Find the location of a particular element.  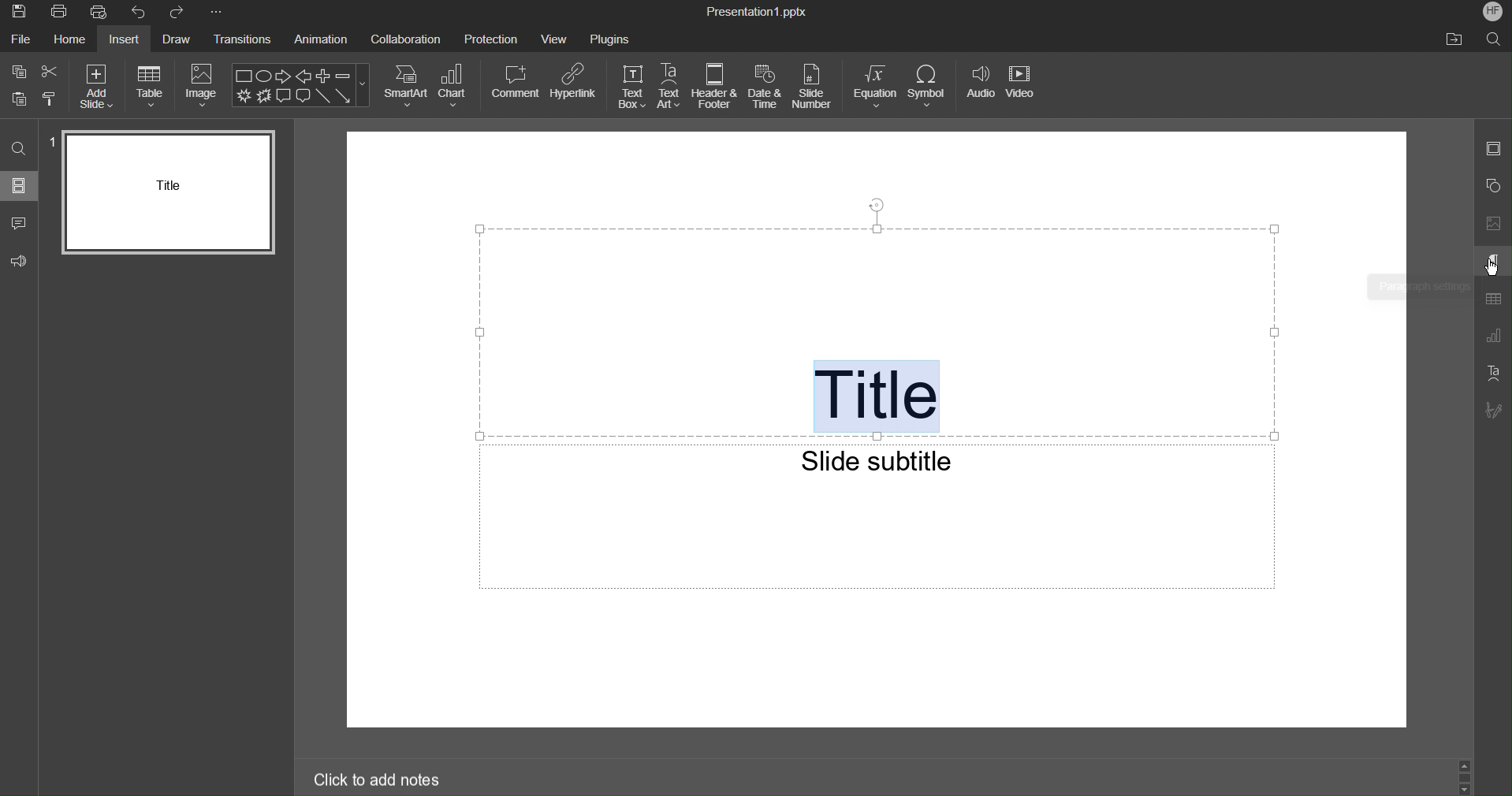

Signature is located at coordinates (1492, 411).